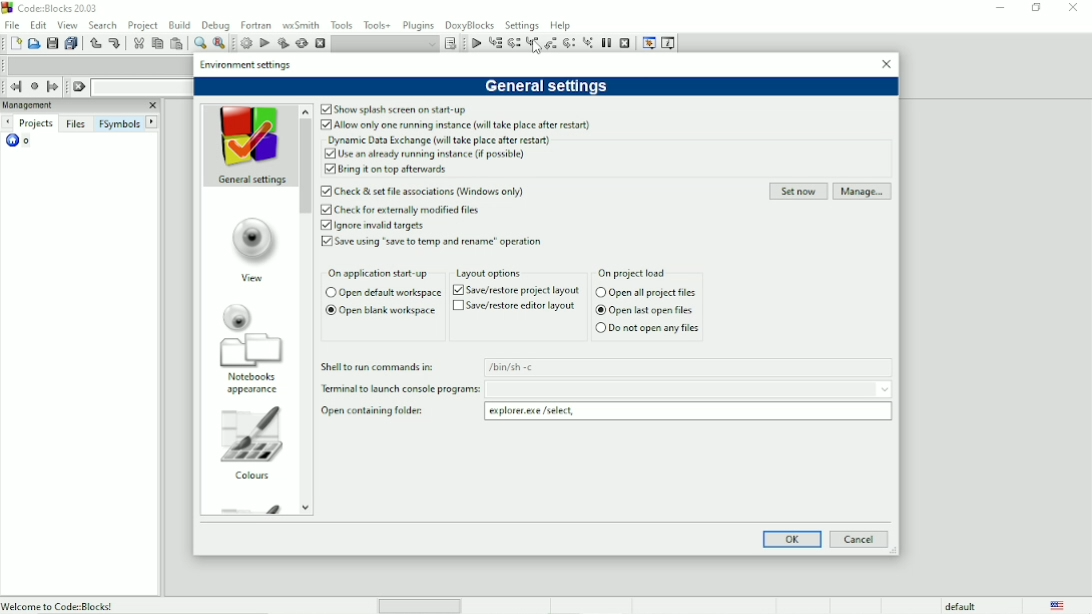 This screenshot has height=614, width=1092. I want to click on Copy, so click(157, 44).